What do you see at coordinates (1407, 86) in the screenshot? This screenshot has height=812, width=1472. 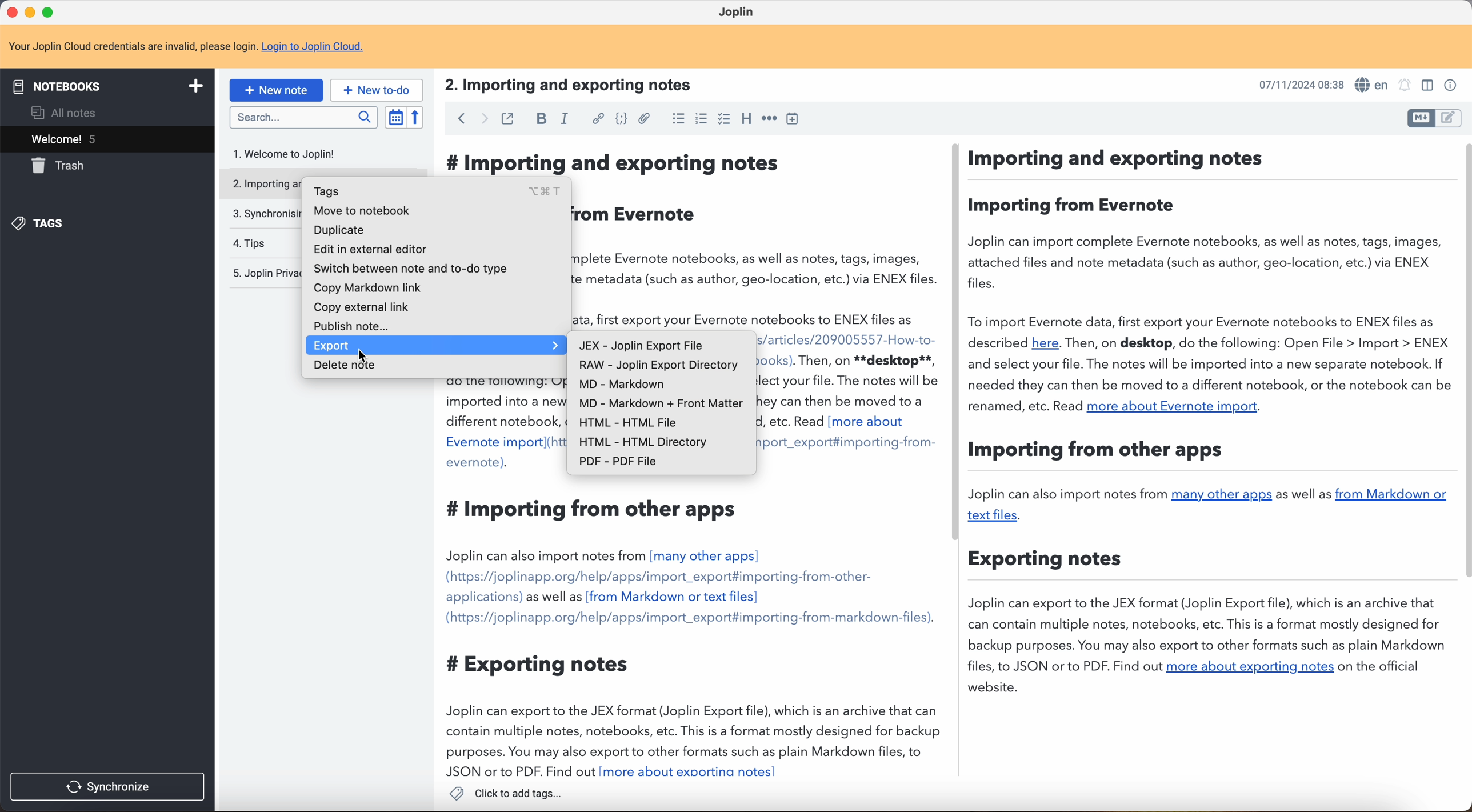 I see `set alarm` at bounding box center [1407, 86].